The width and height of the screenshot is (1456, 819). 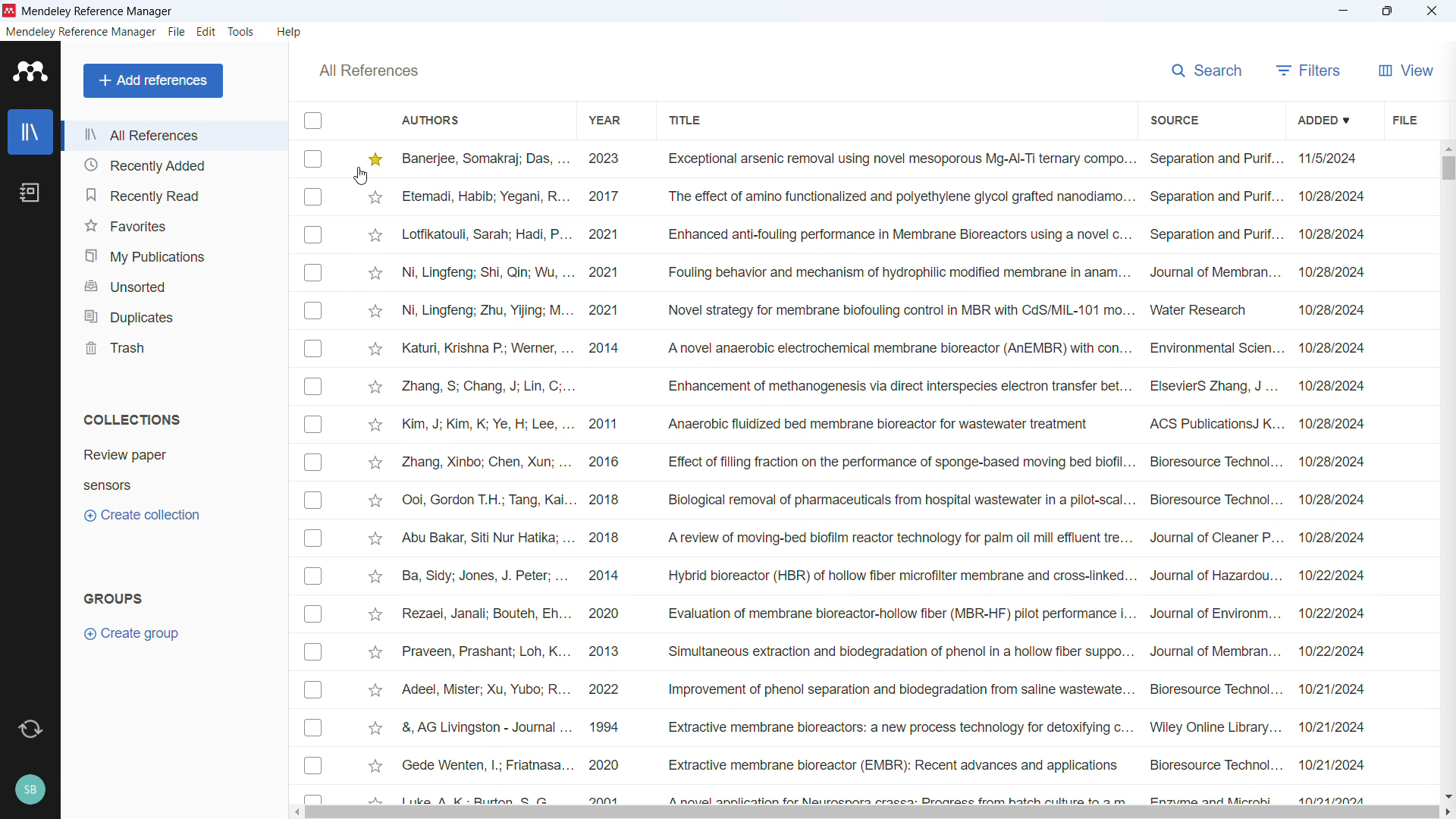 What do you see at coordinates (1175, 118) in the screenshot?
I see `Sort by source ` at bounding box center [1175, 118].